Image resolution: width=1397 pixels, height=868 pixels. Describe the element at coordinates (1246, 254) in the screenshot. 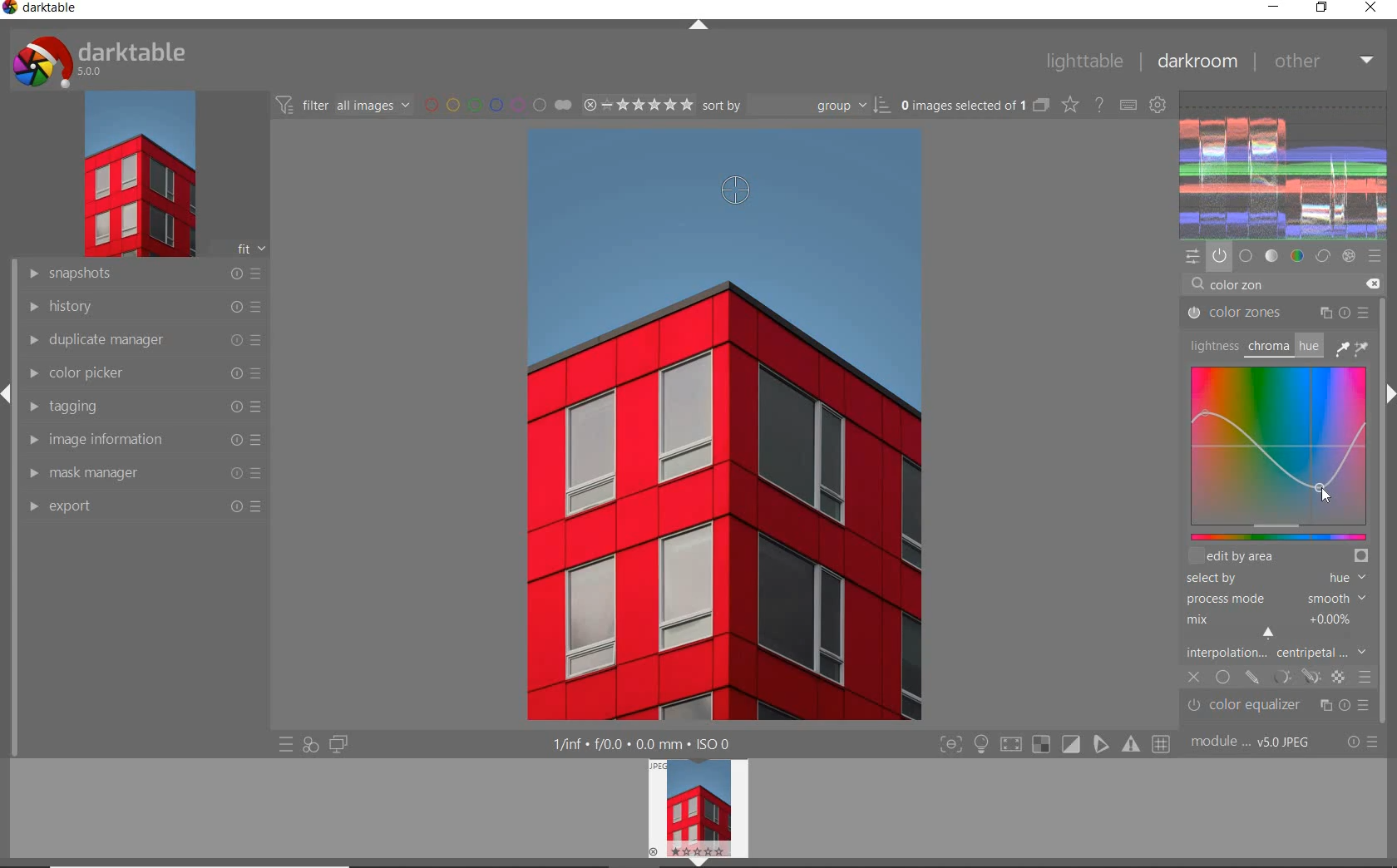

I see `base` at that location.